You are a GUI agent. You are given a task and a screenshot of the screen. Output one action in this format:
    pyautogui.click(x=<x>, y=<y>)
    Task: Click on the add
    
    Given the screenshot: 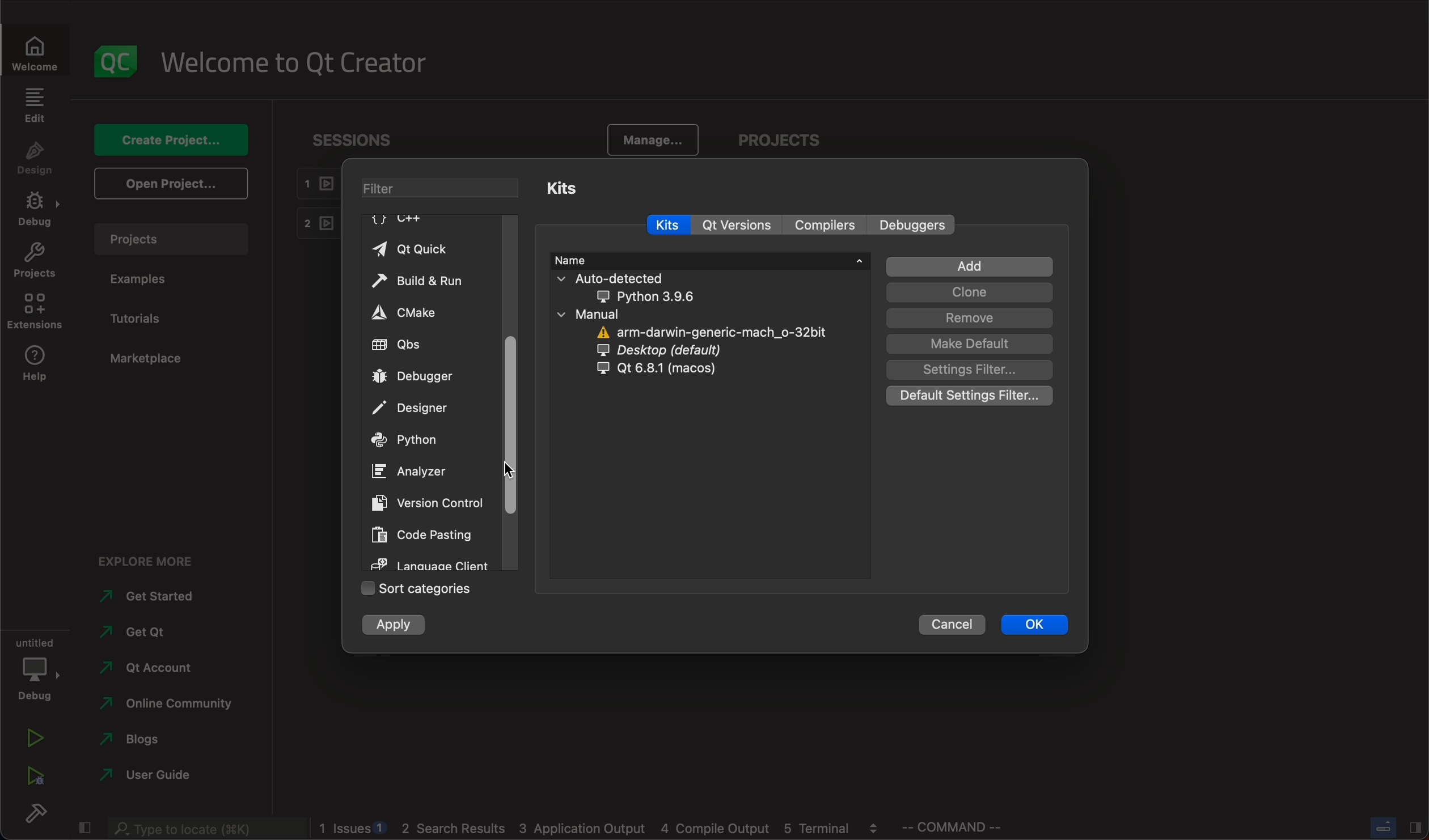 What is the action you would take?
    pyautogui.click(x=971, y=266)
    